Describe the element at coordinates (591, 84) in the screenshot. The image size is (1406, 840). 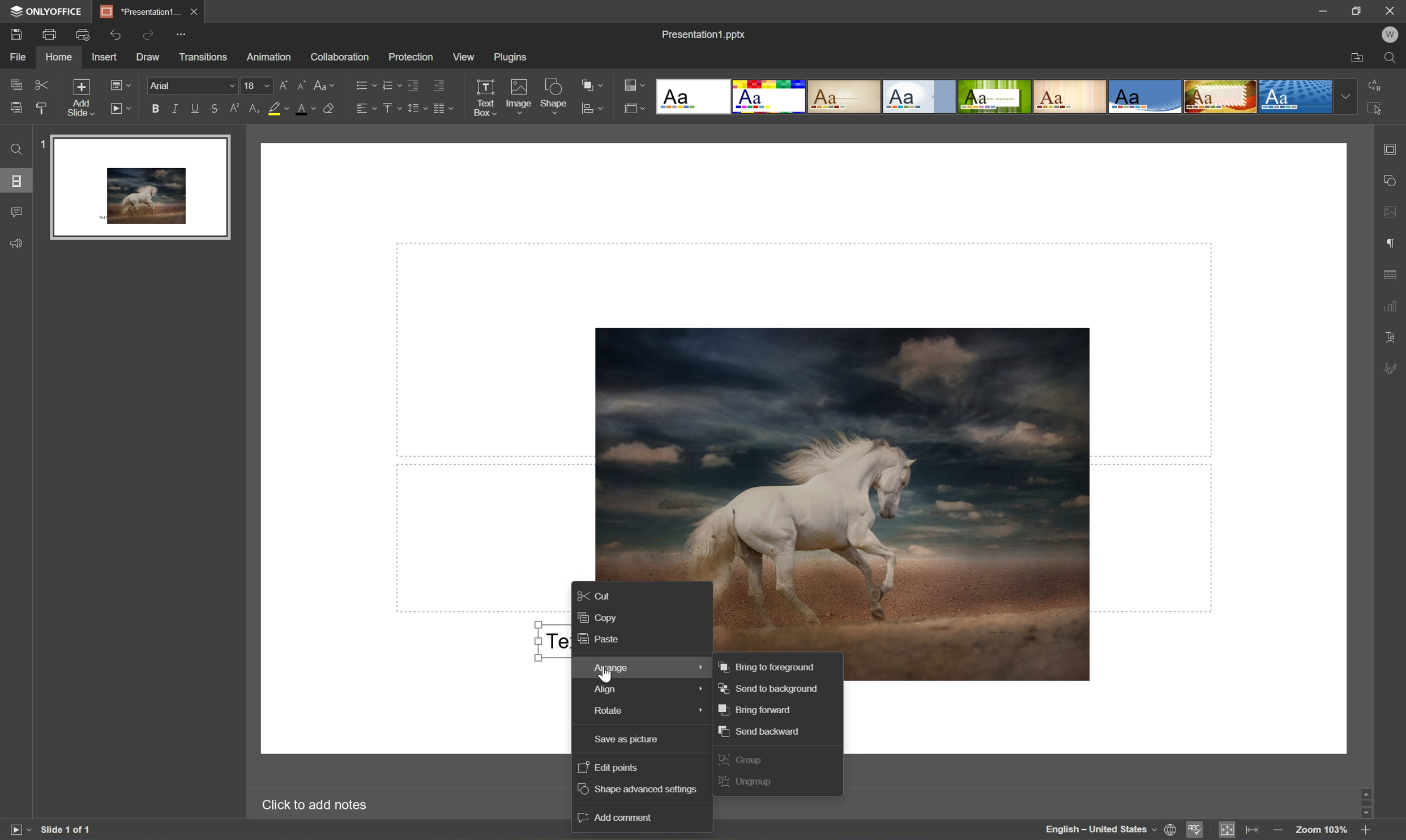
I see `Arrange shapes` at that location.